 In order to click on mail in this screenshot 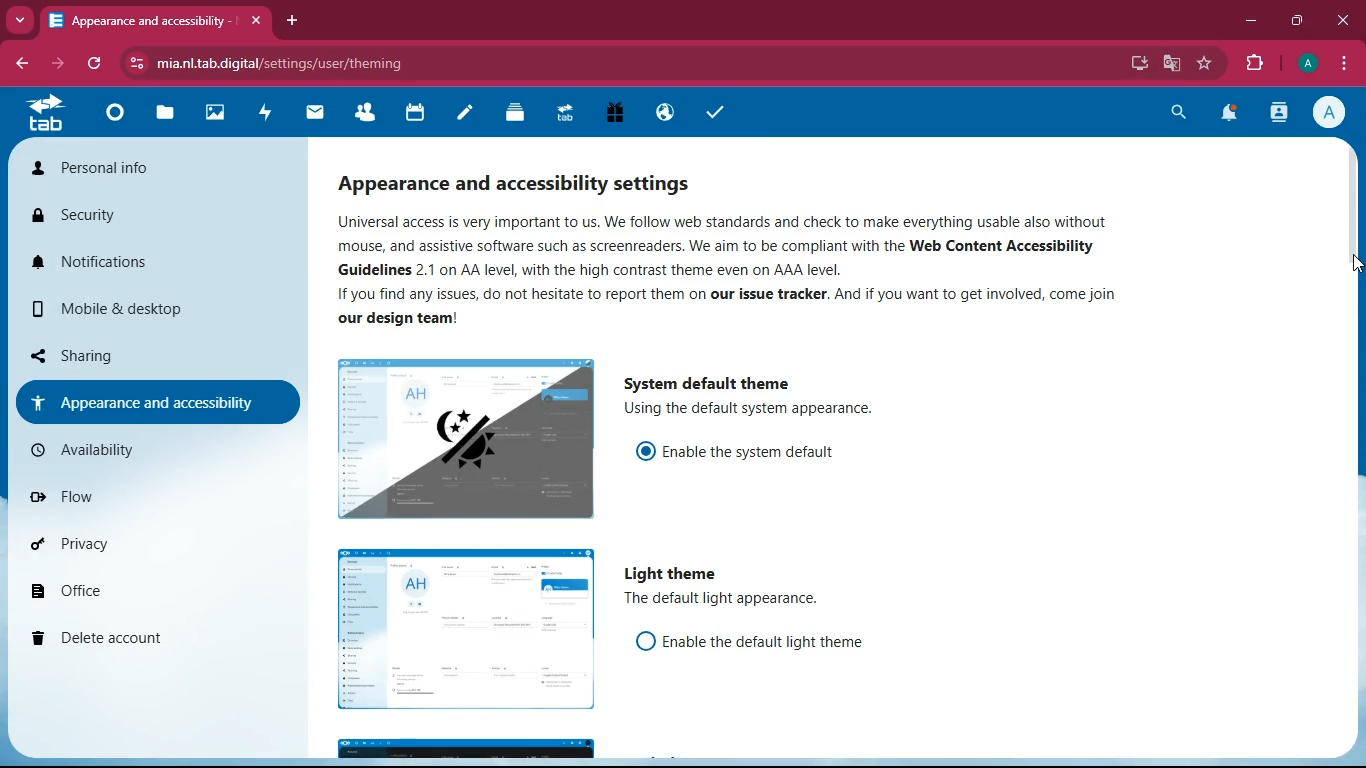, I will do `click(310, 113)`.